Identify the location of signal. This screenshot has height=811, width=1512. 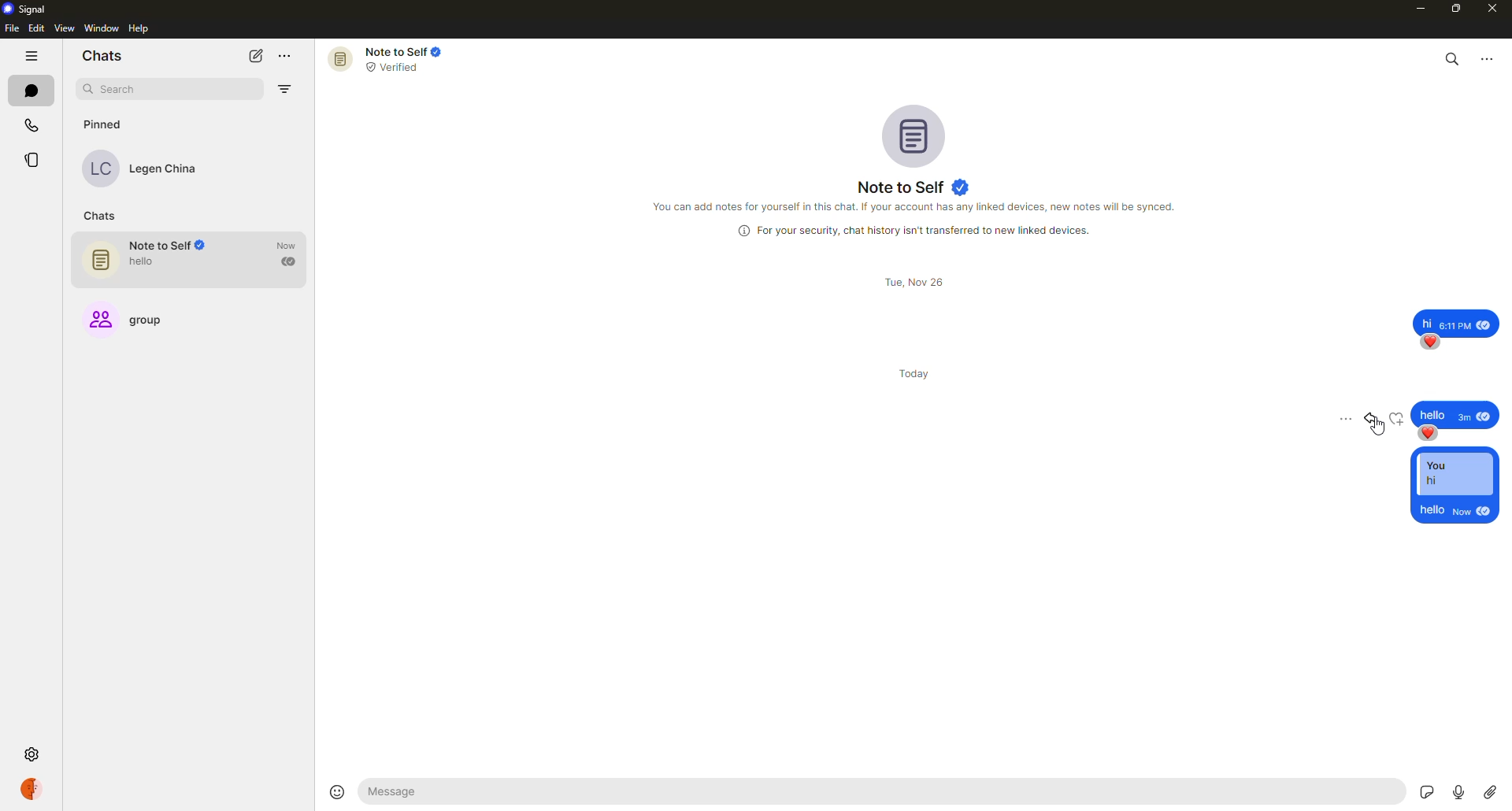
(26, 9).